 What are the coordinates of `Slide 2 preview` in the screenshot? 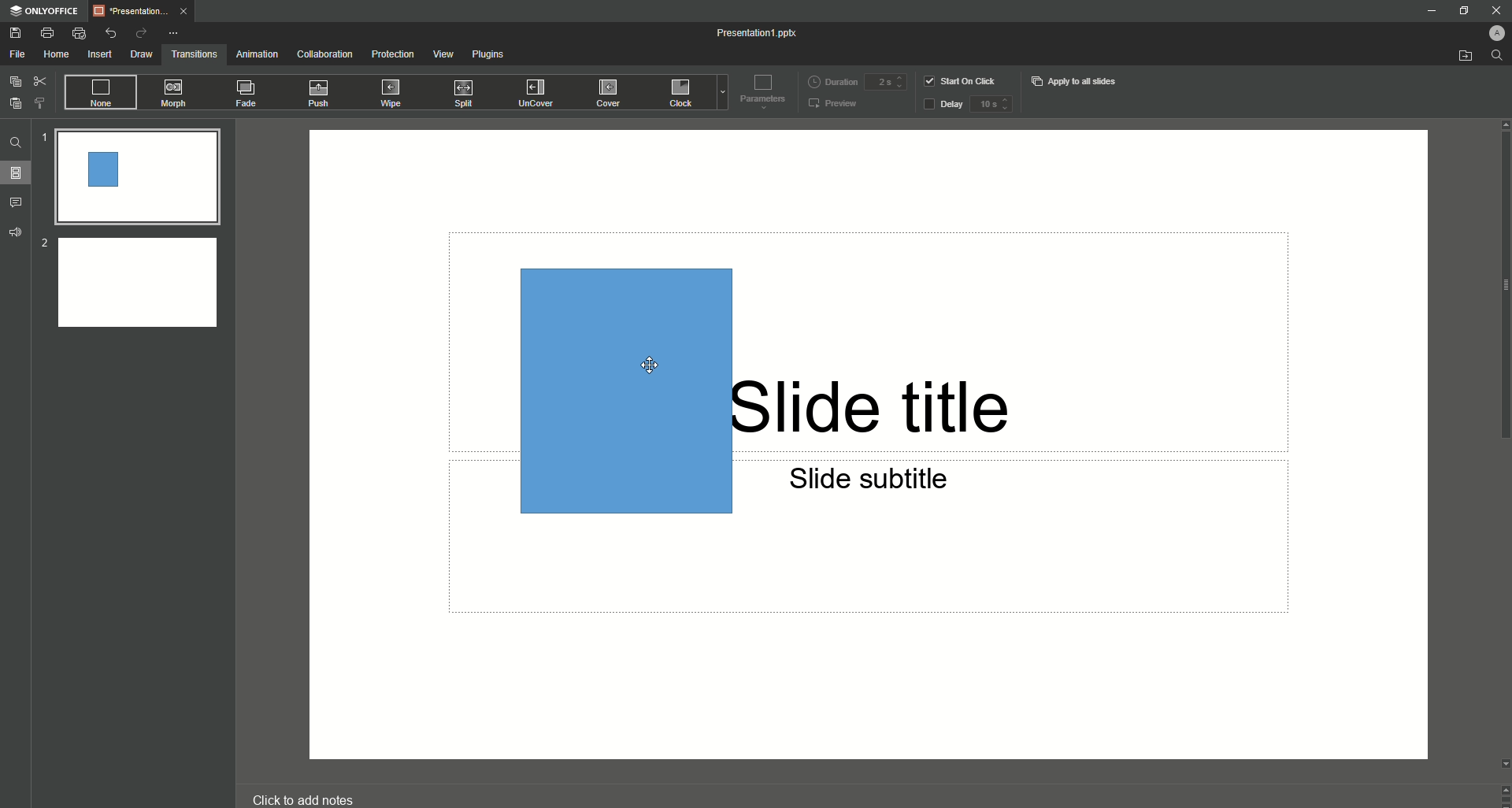 It's located at (137, 284).